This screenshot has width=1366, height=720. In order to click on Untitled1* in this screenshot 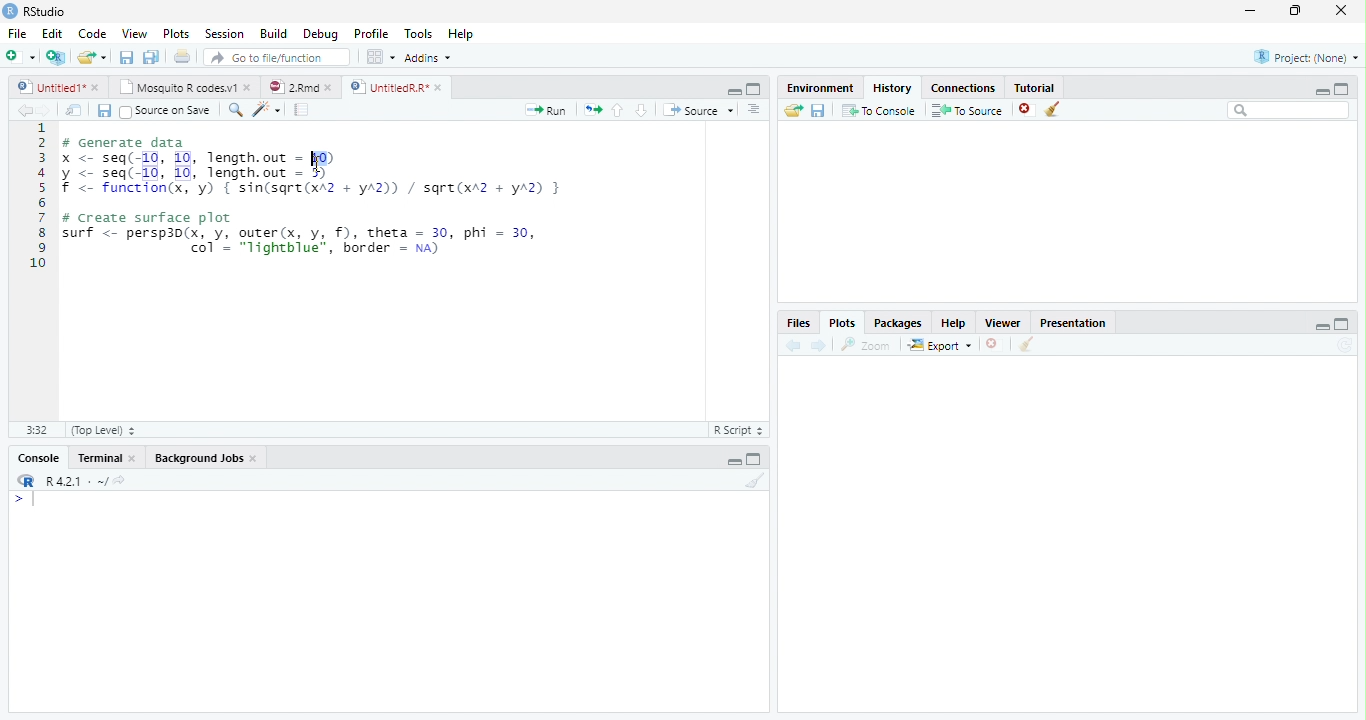, I will do `click(48, 86)`.